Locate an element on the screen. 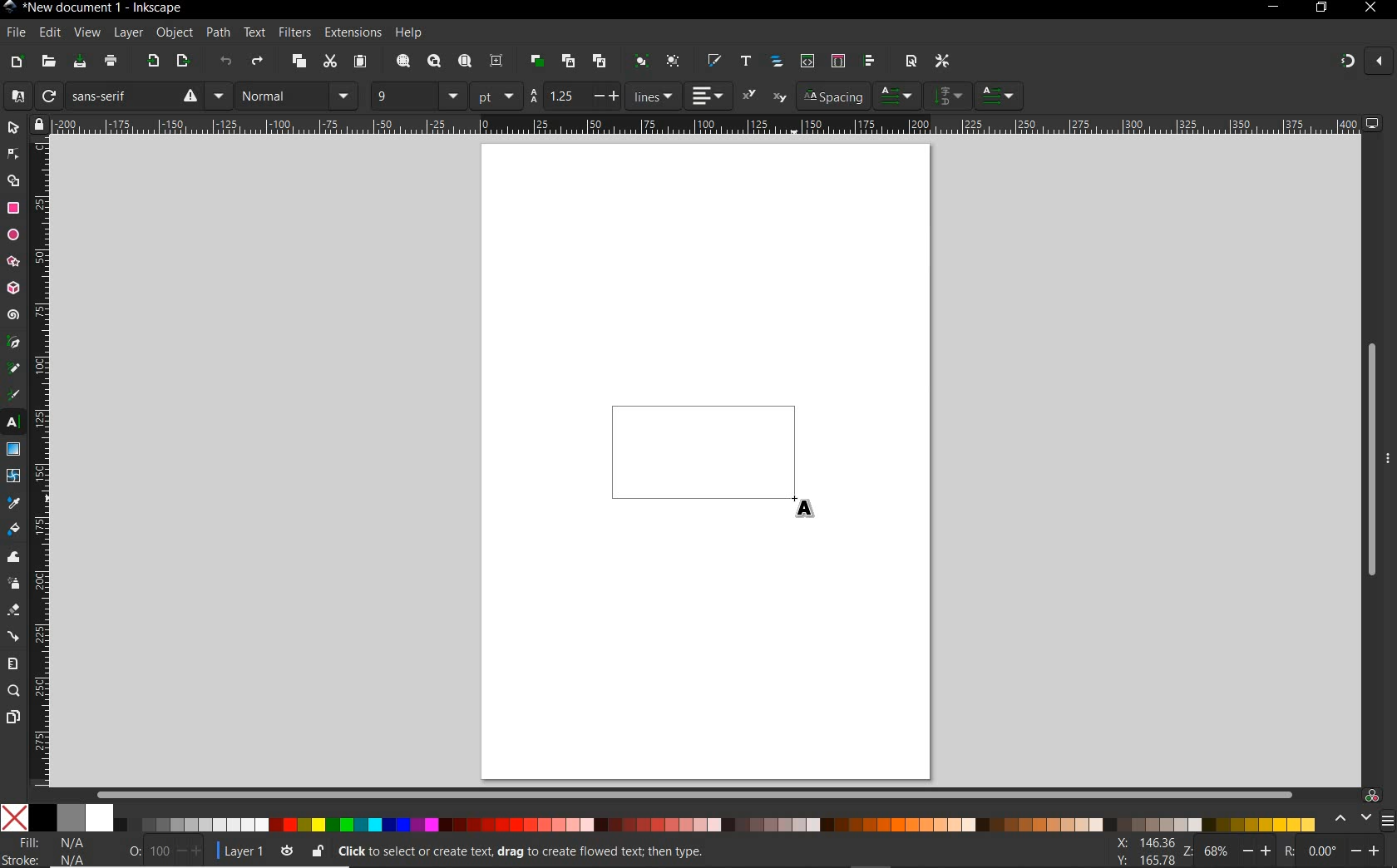  open export is located at coordinates (182, 62).